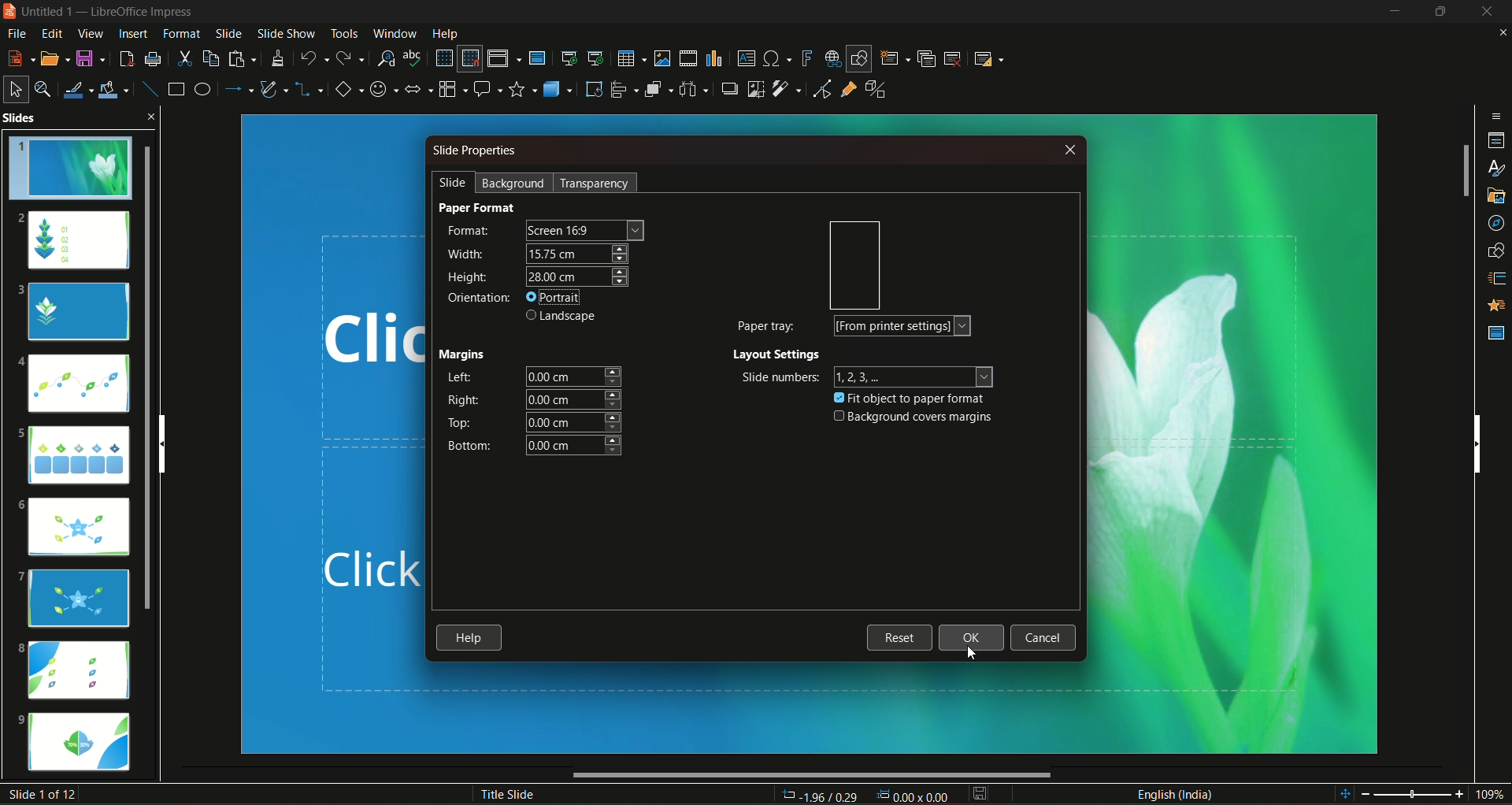 The height and width of the screenshot is (805, 1512). I want to click on help, so click(445, 32).